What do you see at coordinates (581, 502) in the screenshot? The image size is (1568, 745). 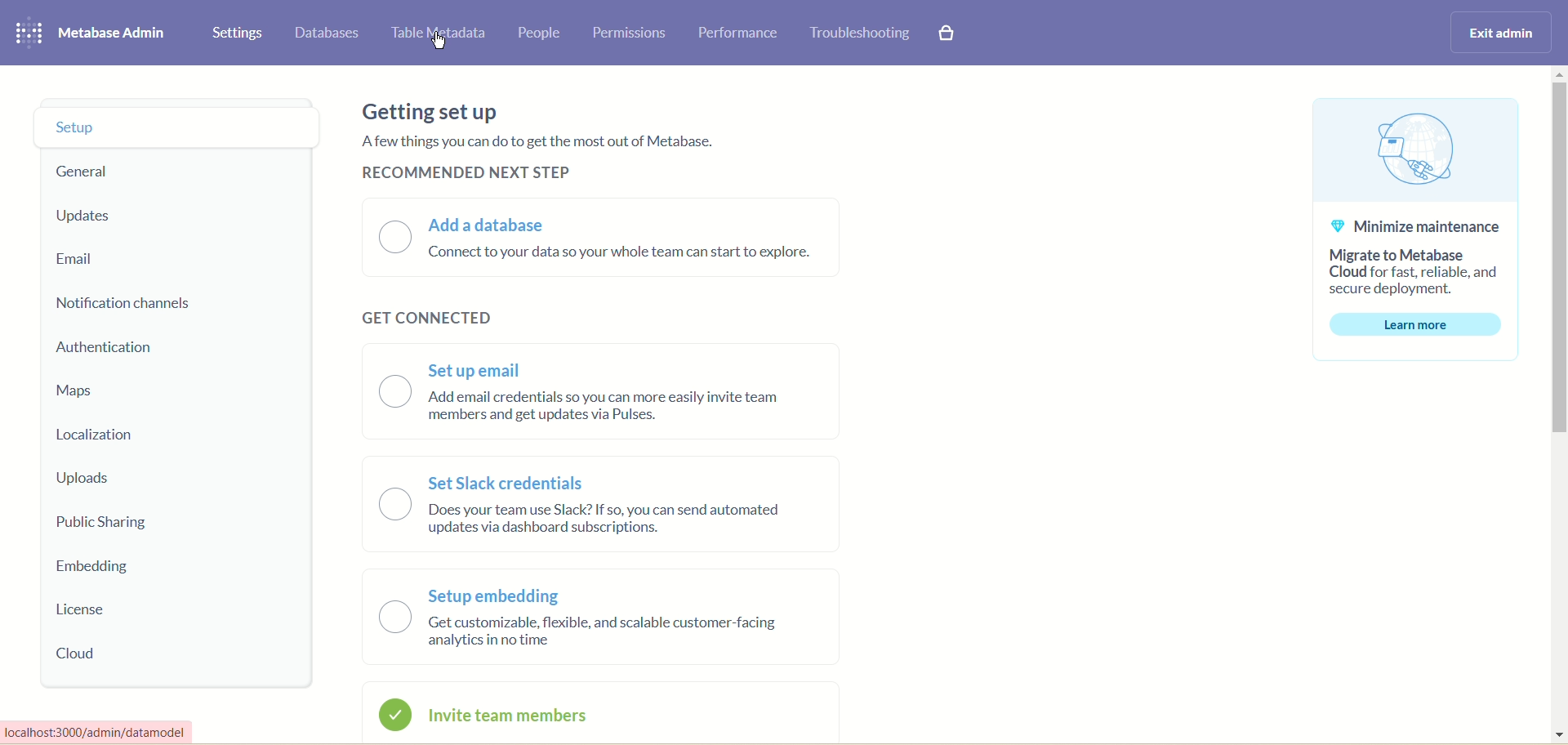 I see `Set Slack credentials Does your team use Slack? If so, you can send automatedupdates via dashboard subscriptions.` at bounding box center [581, 502].